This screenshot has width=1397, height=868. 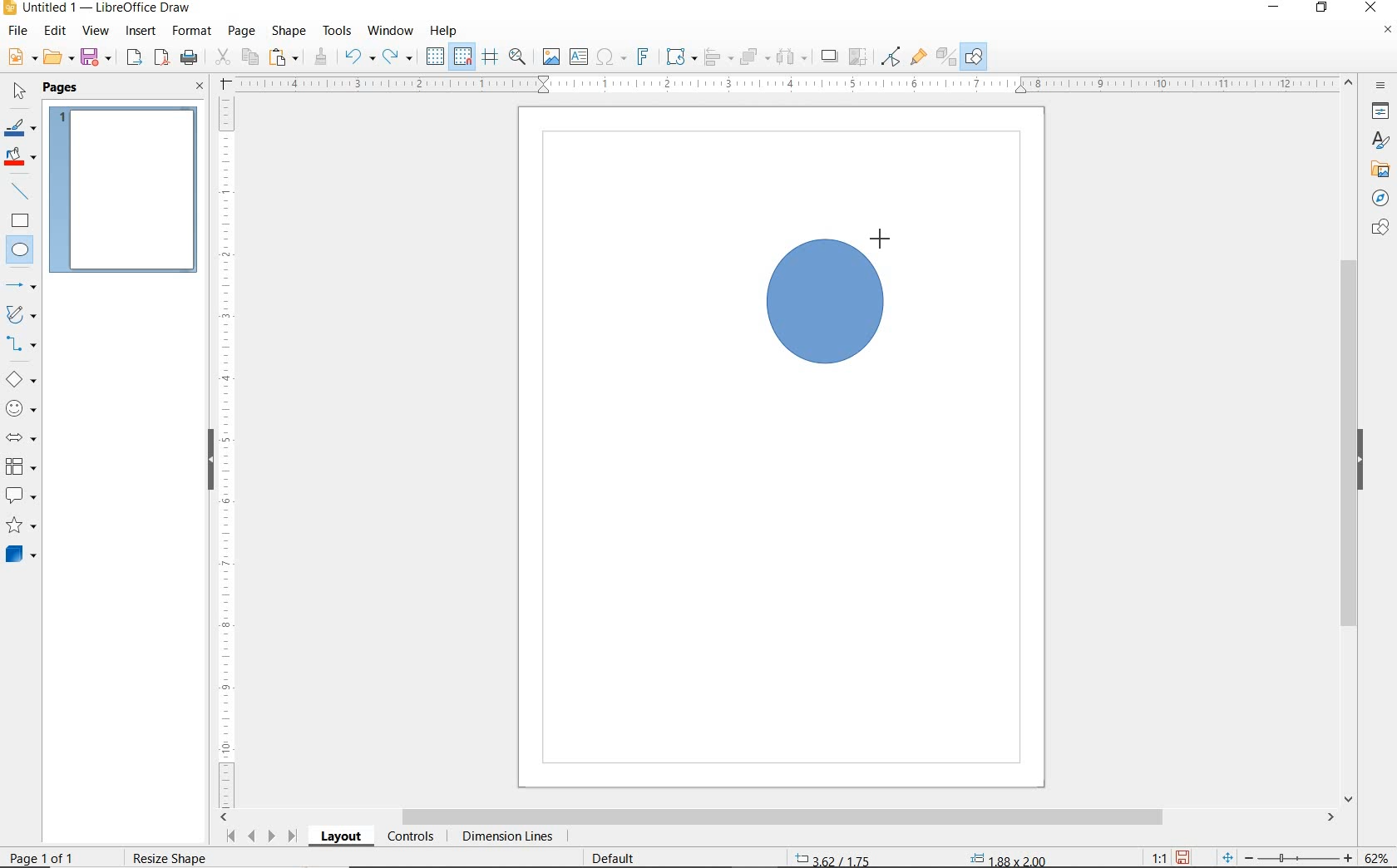 I want to click on RULER, so click(x=228, y=450).